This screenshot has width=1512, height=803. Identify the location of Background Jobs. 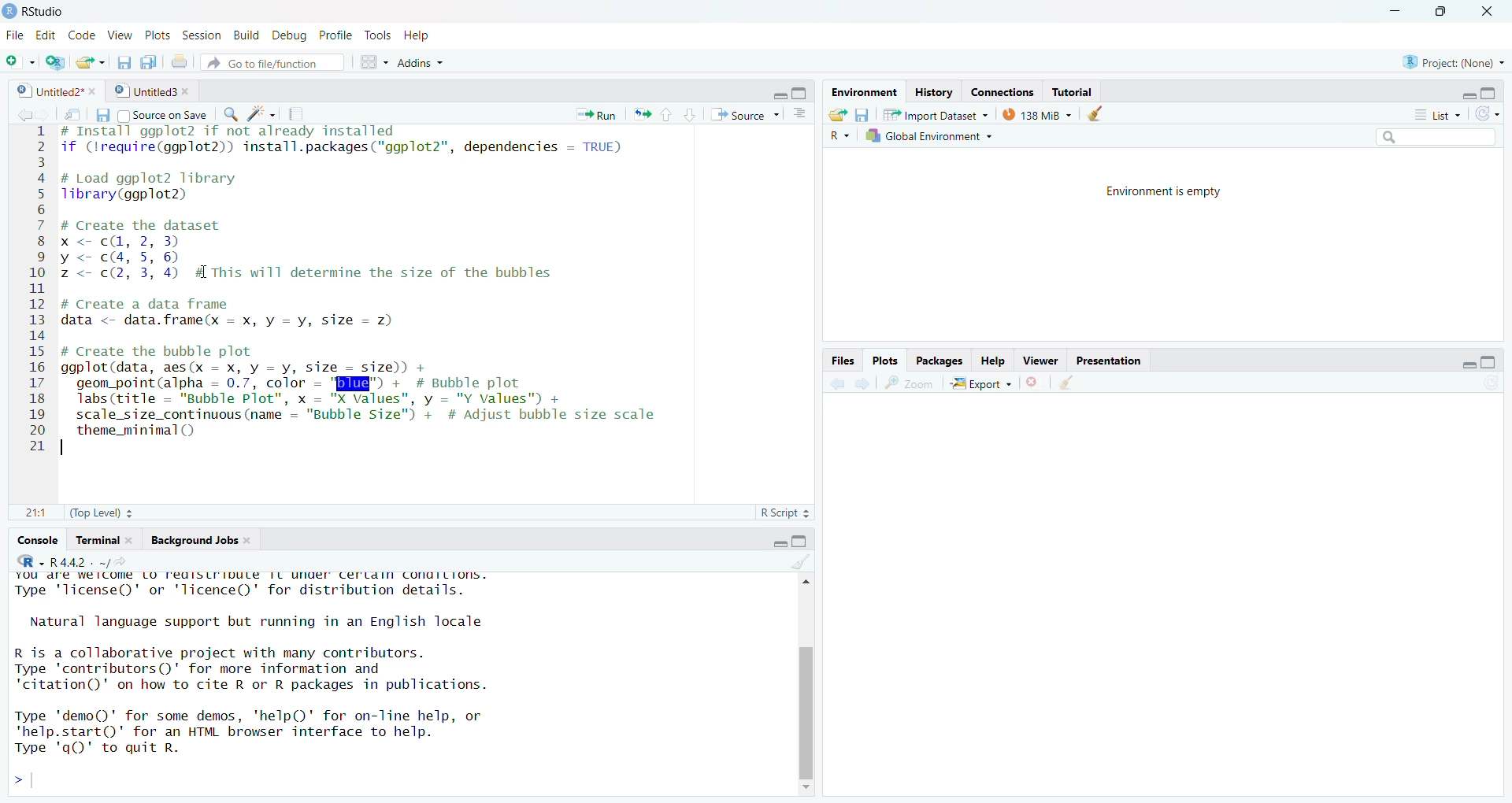
(199, 538).